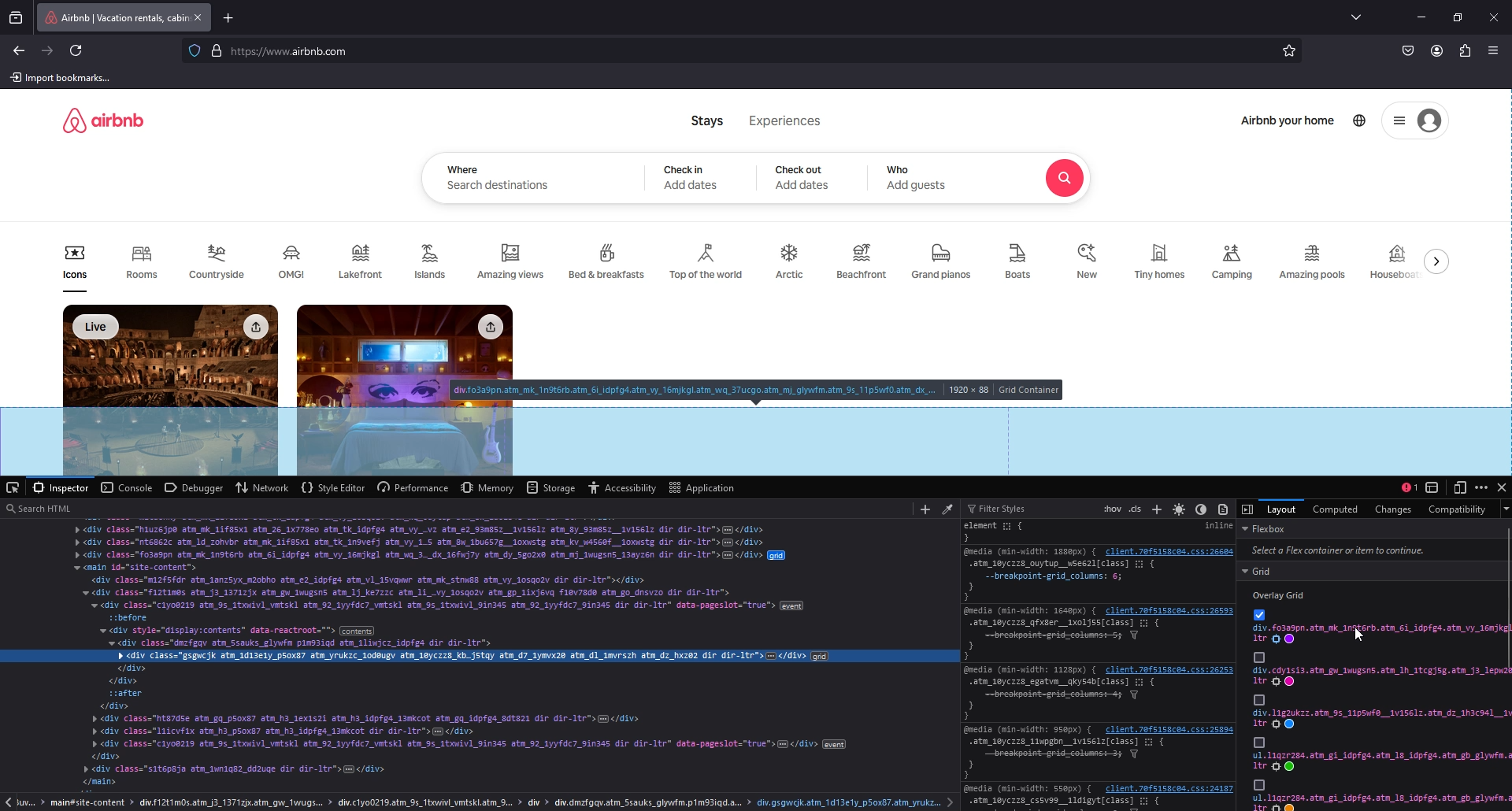  I want to click on debugger, so click(195, 487).